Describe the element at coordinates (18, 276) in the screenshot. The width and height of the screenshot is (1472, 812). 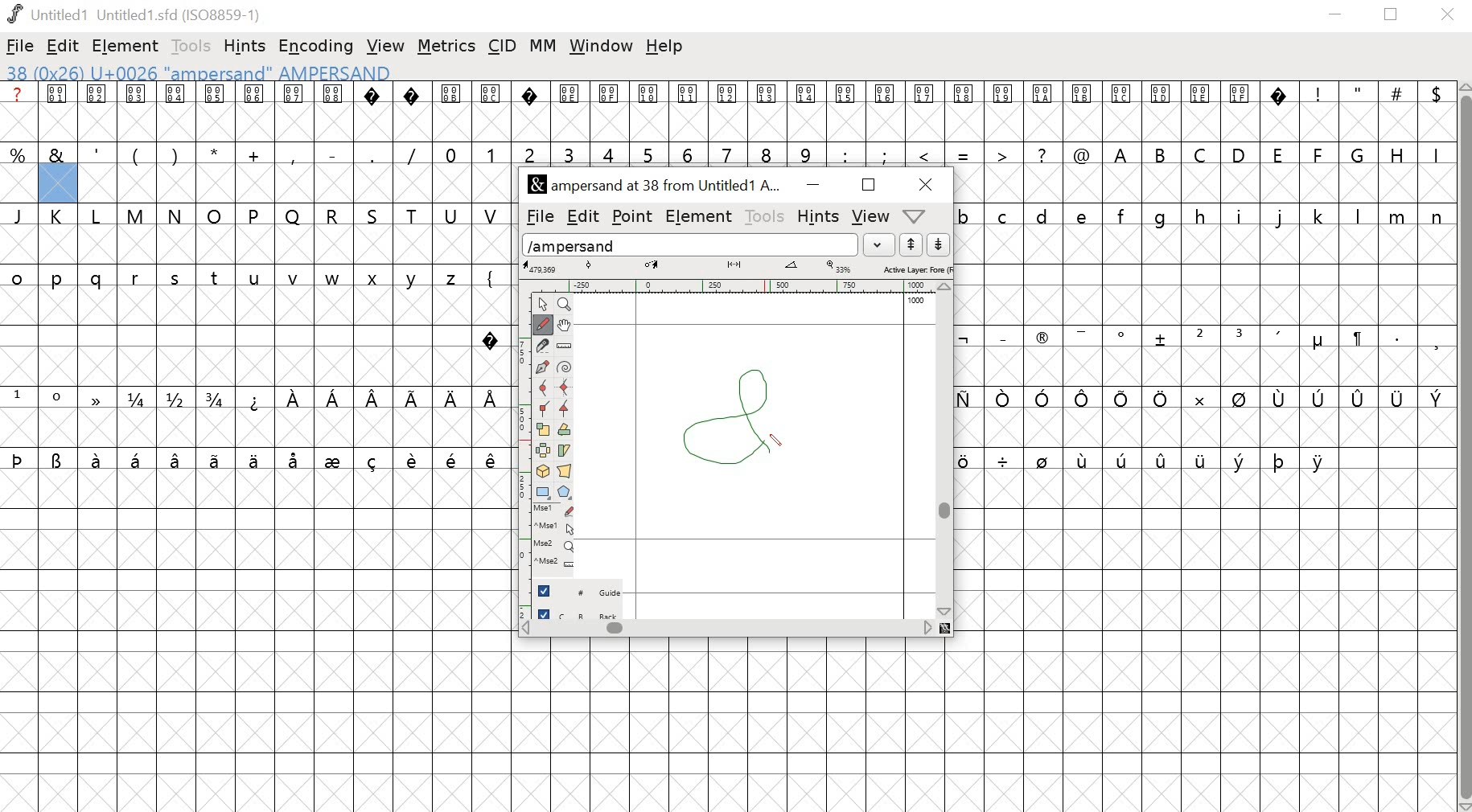
I see `o` at that location.